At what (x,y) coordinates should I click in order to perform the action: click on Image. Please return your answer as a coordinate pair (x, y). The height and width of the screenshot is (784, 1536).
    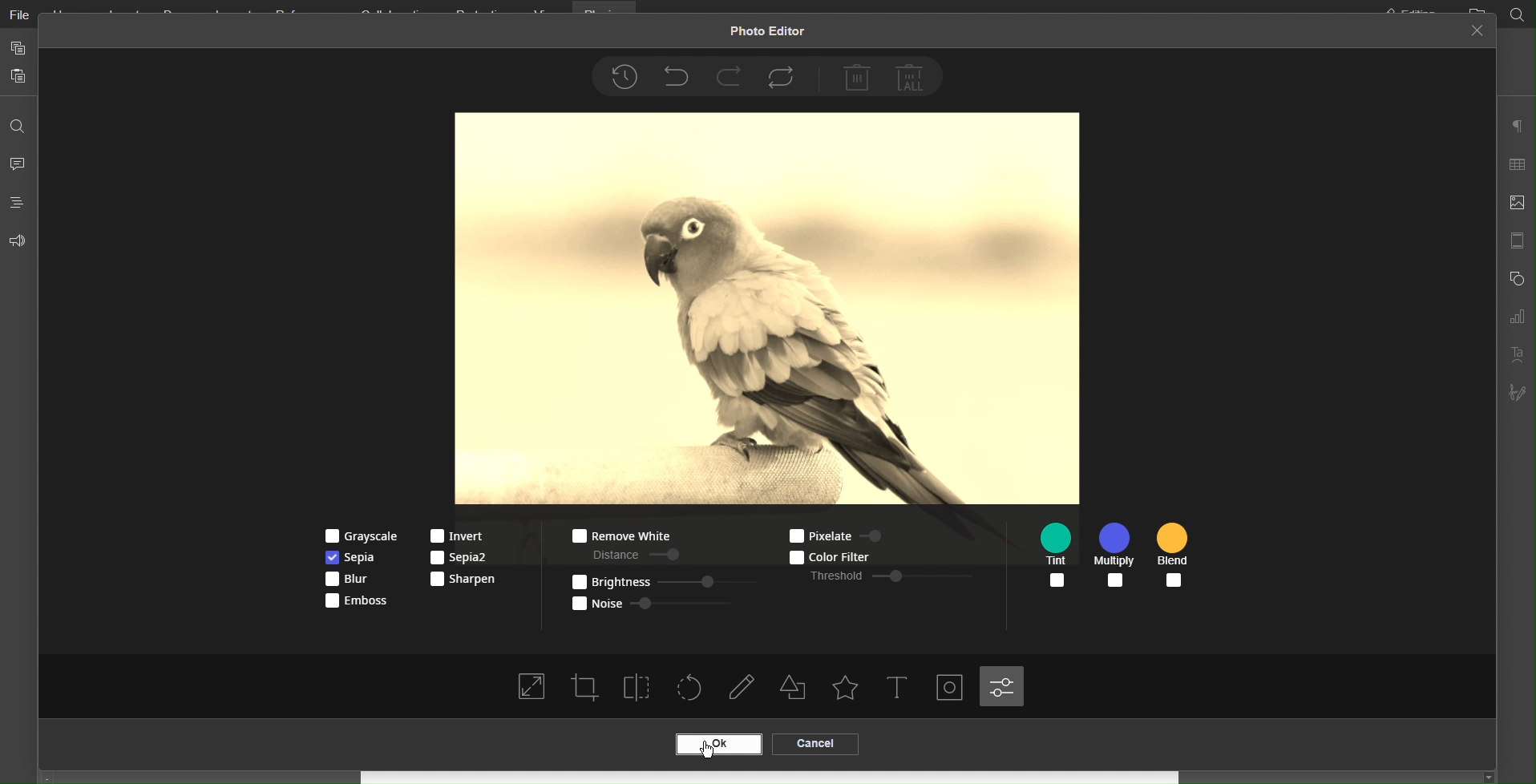
    Looking at the image, I should click on (952, 689).